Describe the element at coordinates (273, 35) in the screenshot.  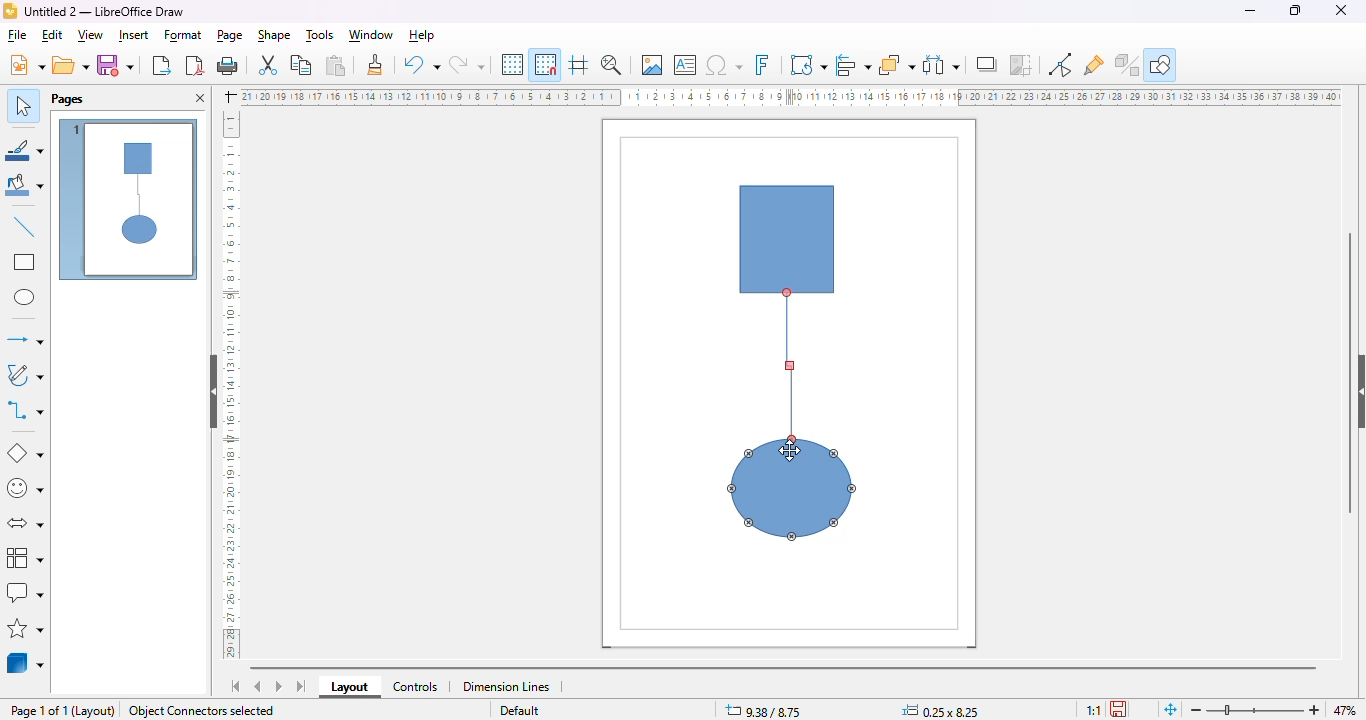
I see `shape` at that location.